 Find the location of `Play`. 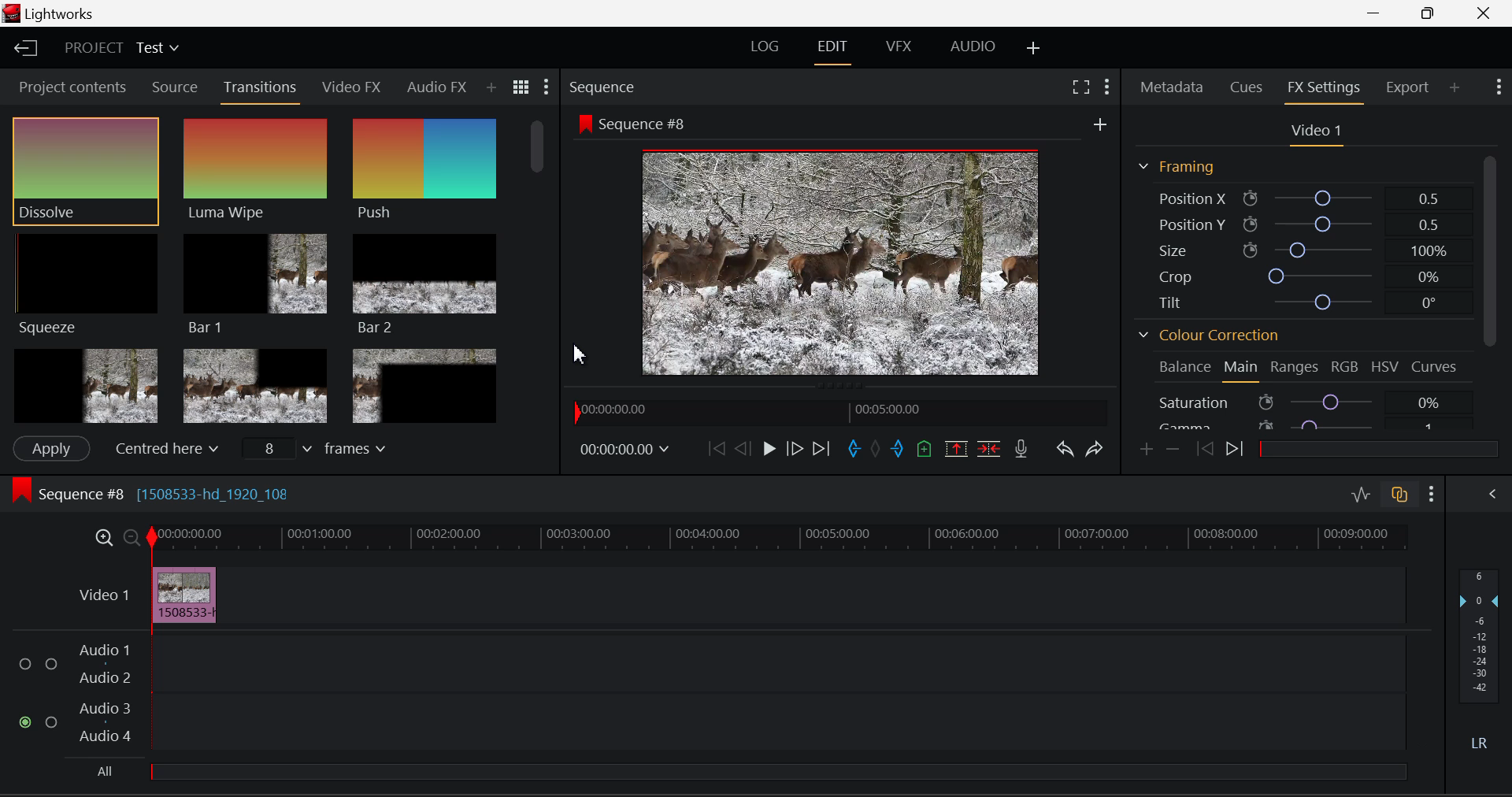

Play is located at coordinates (765, 448).